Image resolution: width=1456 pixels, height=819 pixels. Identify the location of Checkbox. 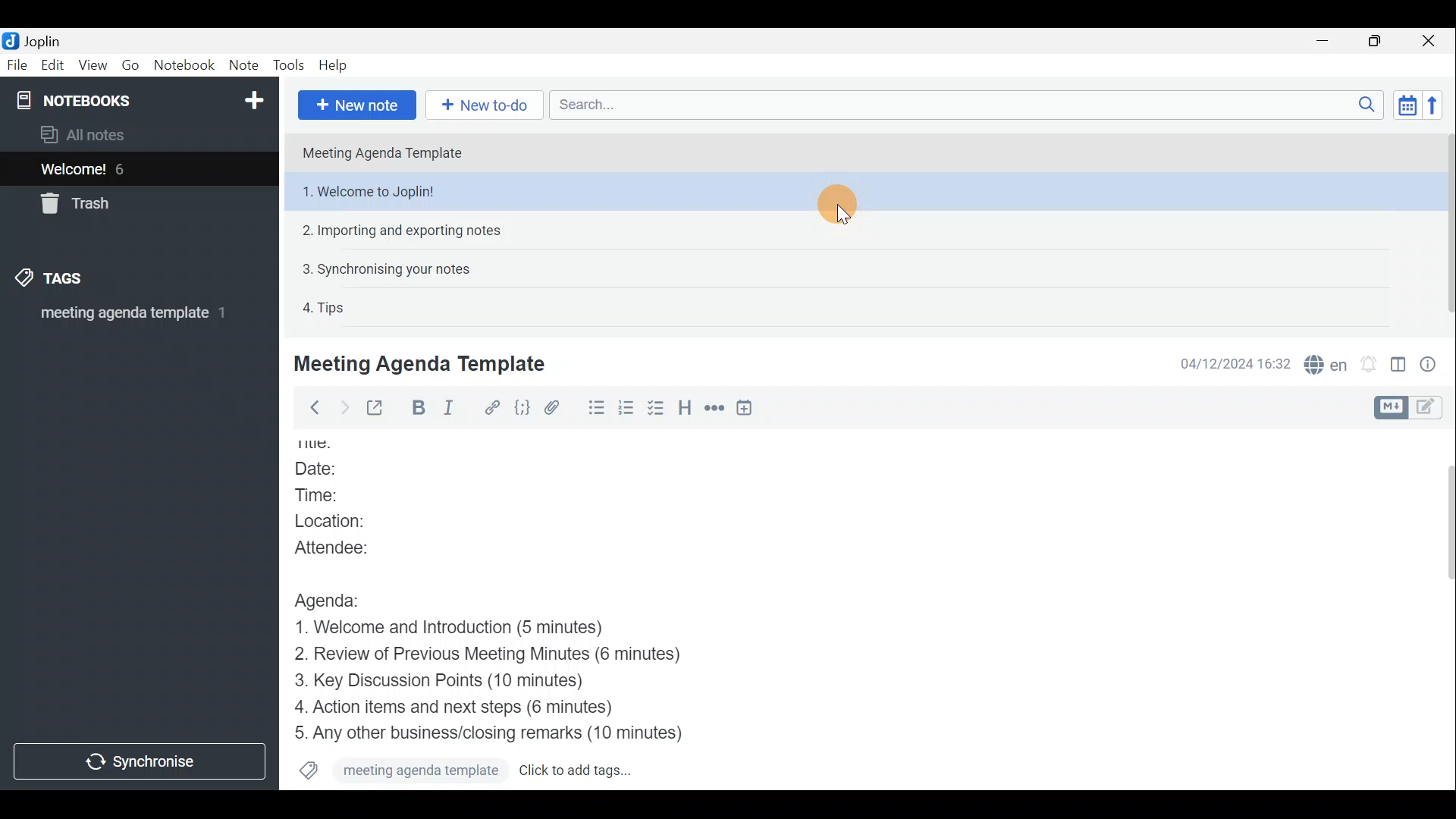
(654, 409).